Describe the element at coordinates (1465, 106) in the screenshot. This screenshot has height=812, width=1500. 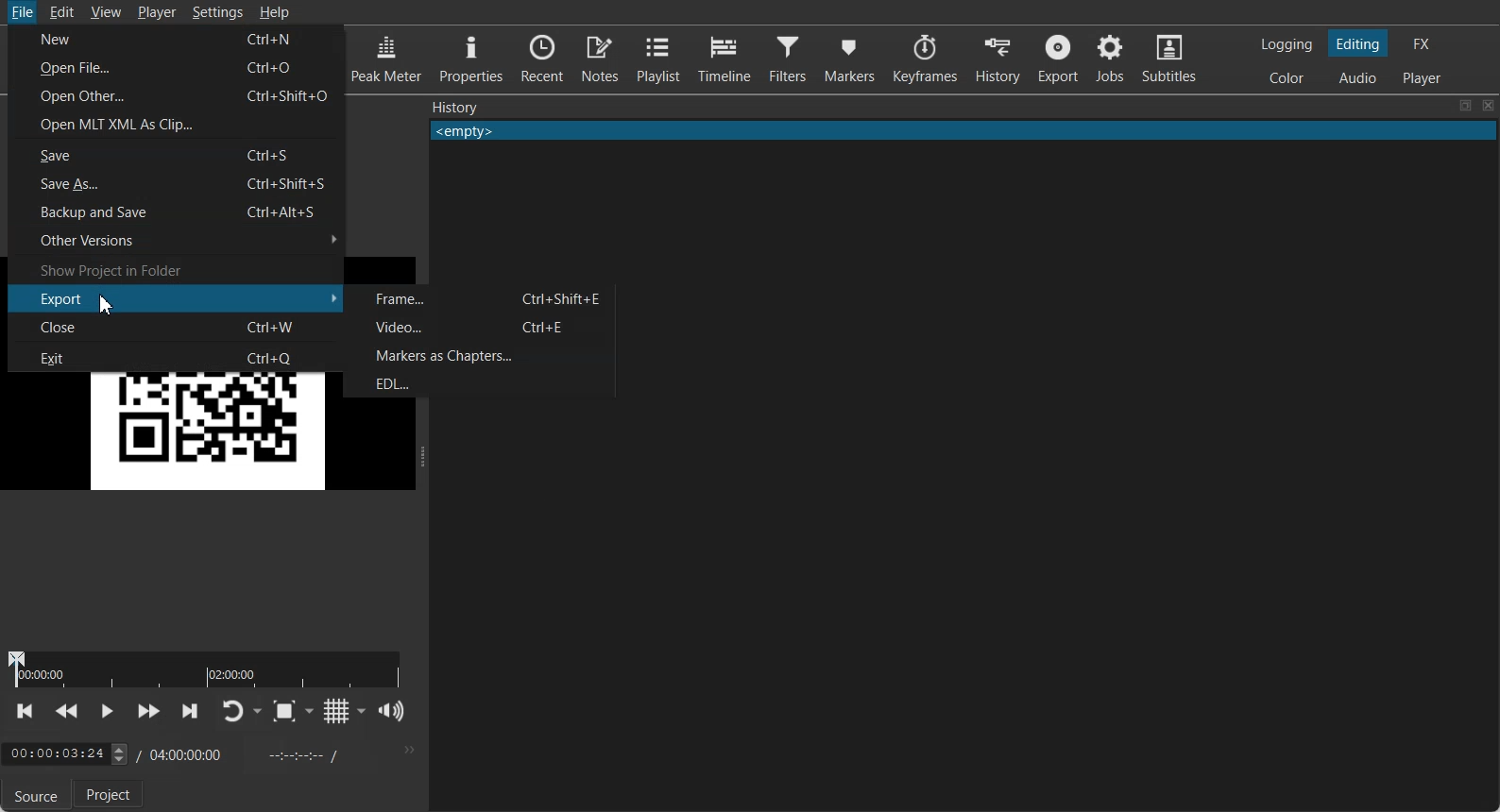
I see `Maximize` at that location.